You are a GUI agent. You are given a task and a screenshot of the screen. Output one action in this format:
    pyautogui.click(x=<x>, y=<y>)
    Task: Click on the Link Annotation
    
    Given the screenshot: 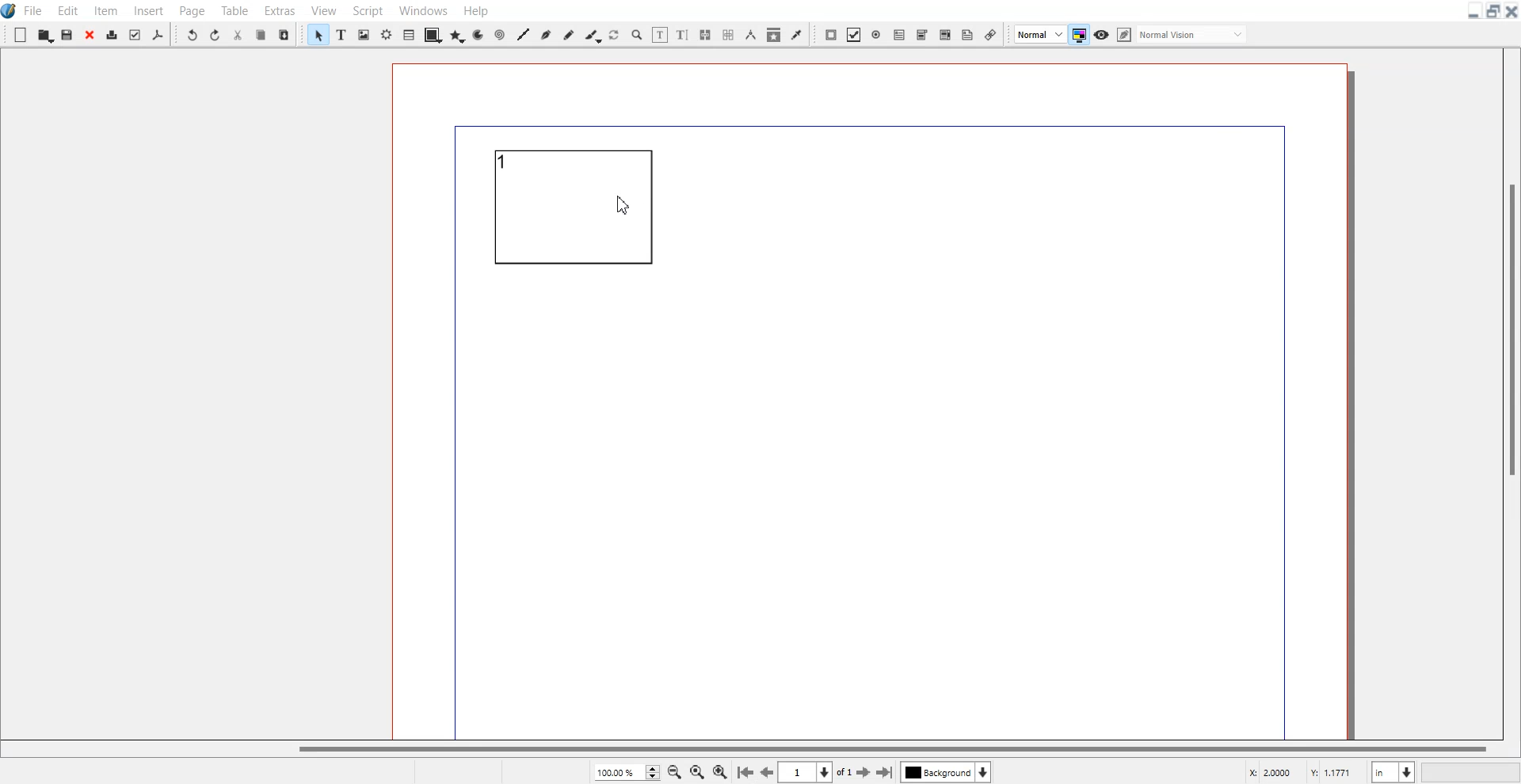 What is the action you would take?
    pyautogui.click(x=990, y=33)
    